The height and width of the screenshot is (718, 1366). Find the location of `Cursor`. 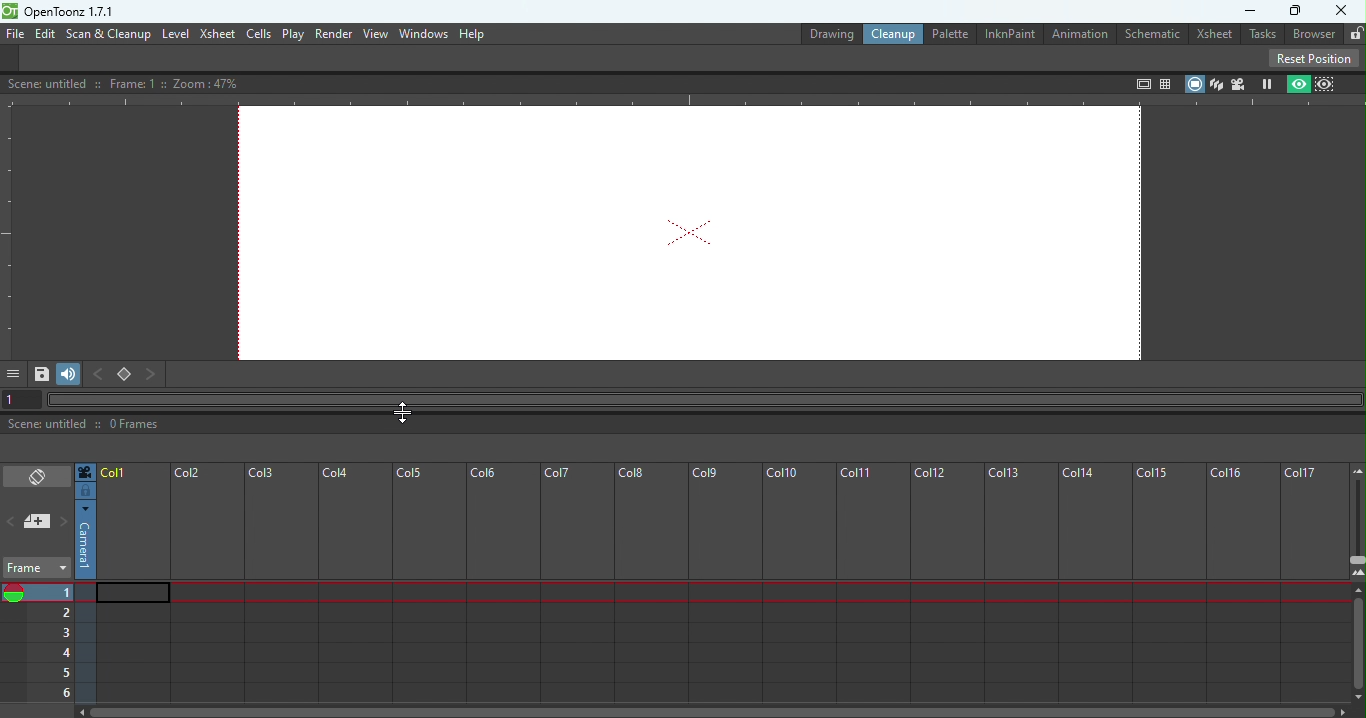

Cursor is located at coordinates (405, 410).